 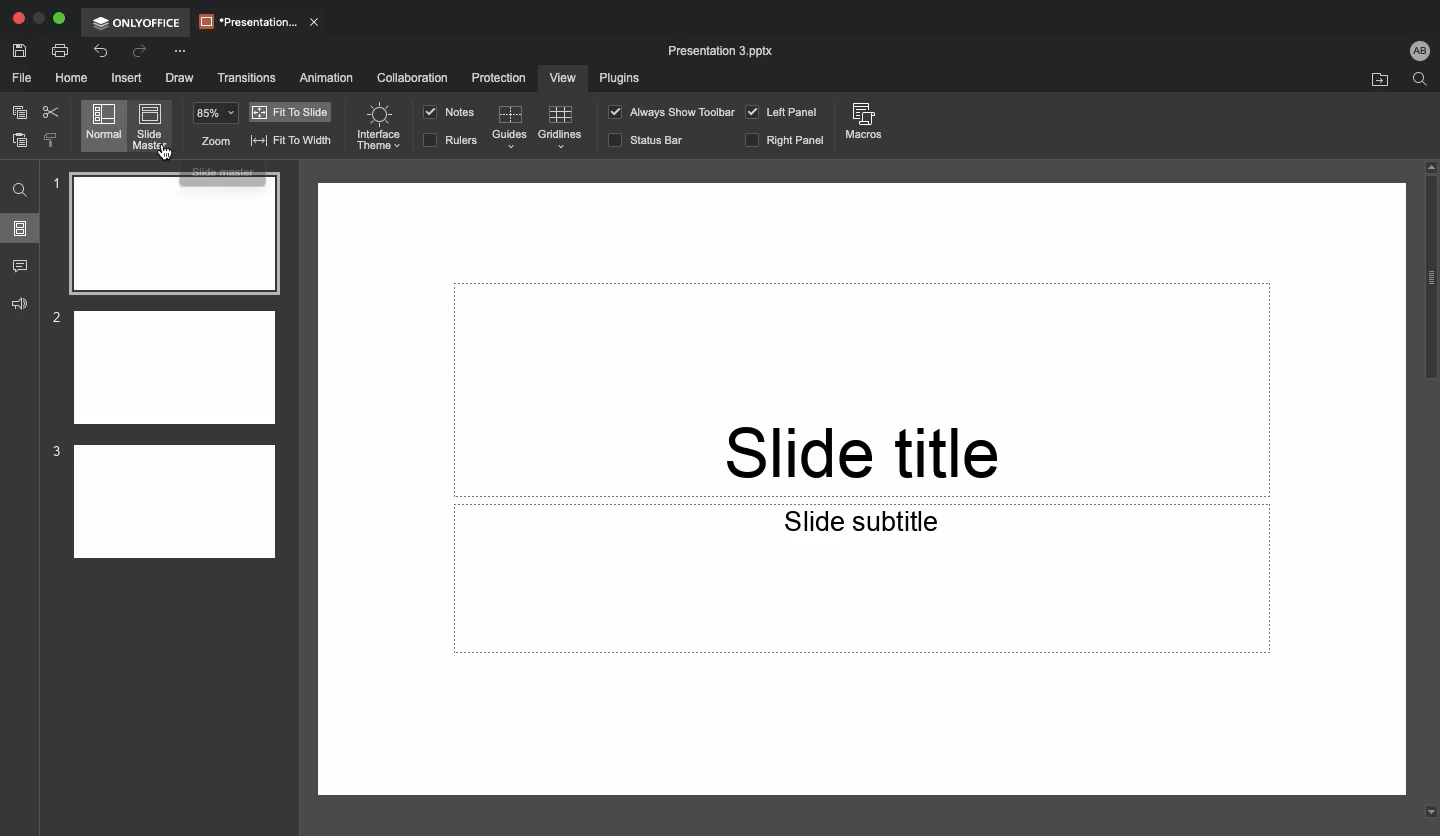 What do you see at coordinates (248, 76) in the screenshot?
I see `Transitions` at bounding box center [248, 76].